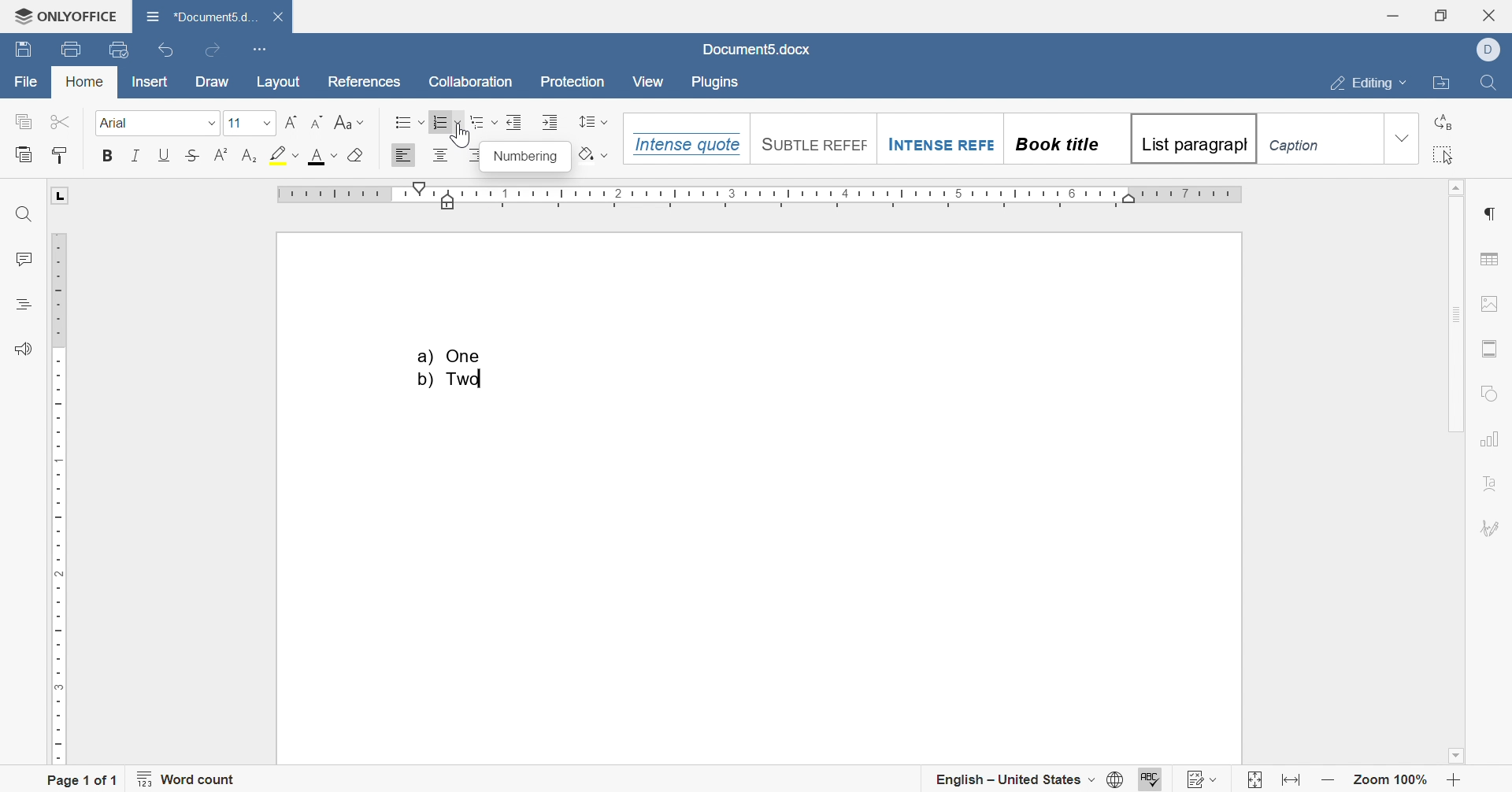 This screenshot has width=1512, height=792. What do you see at coordinates (1489, 259) in the screenshot?
I see `table settings` at bounding box center [1489, 259].